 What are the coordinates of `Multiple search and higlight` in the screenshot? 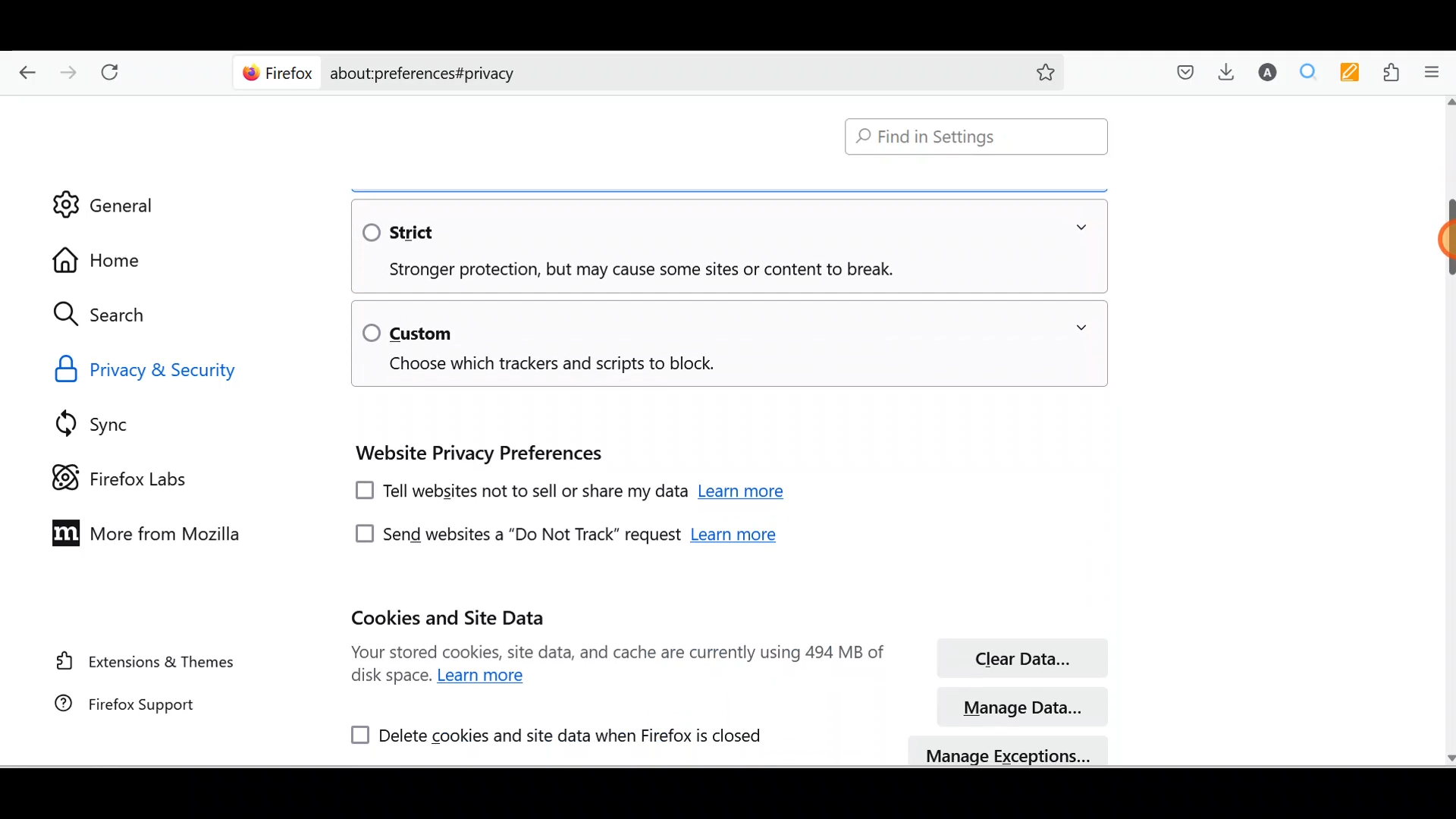 It's located at (1310, 71).